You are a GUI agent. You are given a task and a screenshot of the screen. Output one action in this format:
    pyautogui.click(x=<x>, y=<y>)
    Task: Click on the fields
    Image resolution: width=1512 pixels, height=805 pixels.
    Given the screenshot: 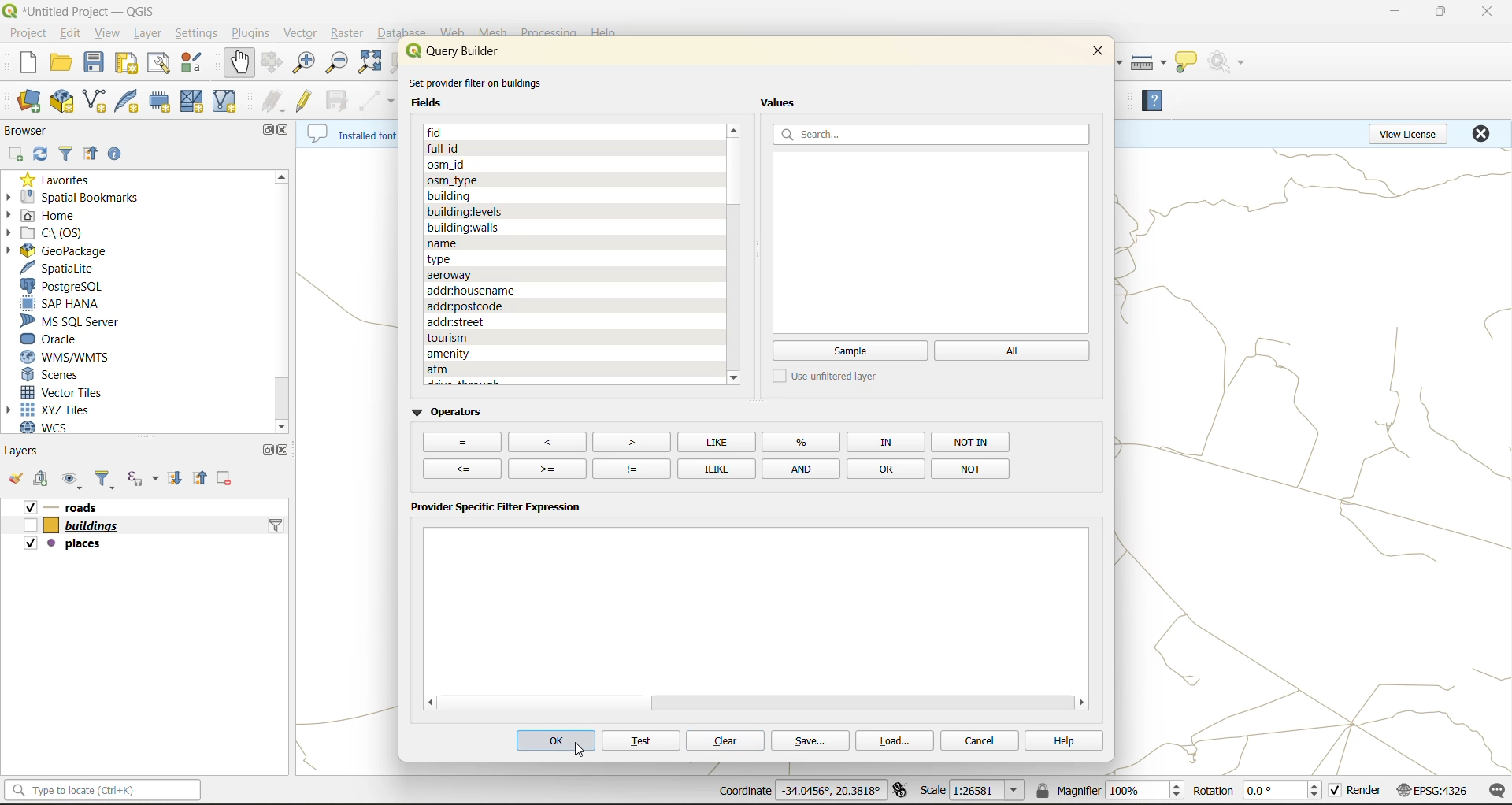 What is the action you would take?
    pyautogui.click(x=478, y=306)
    